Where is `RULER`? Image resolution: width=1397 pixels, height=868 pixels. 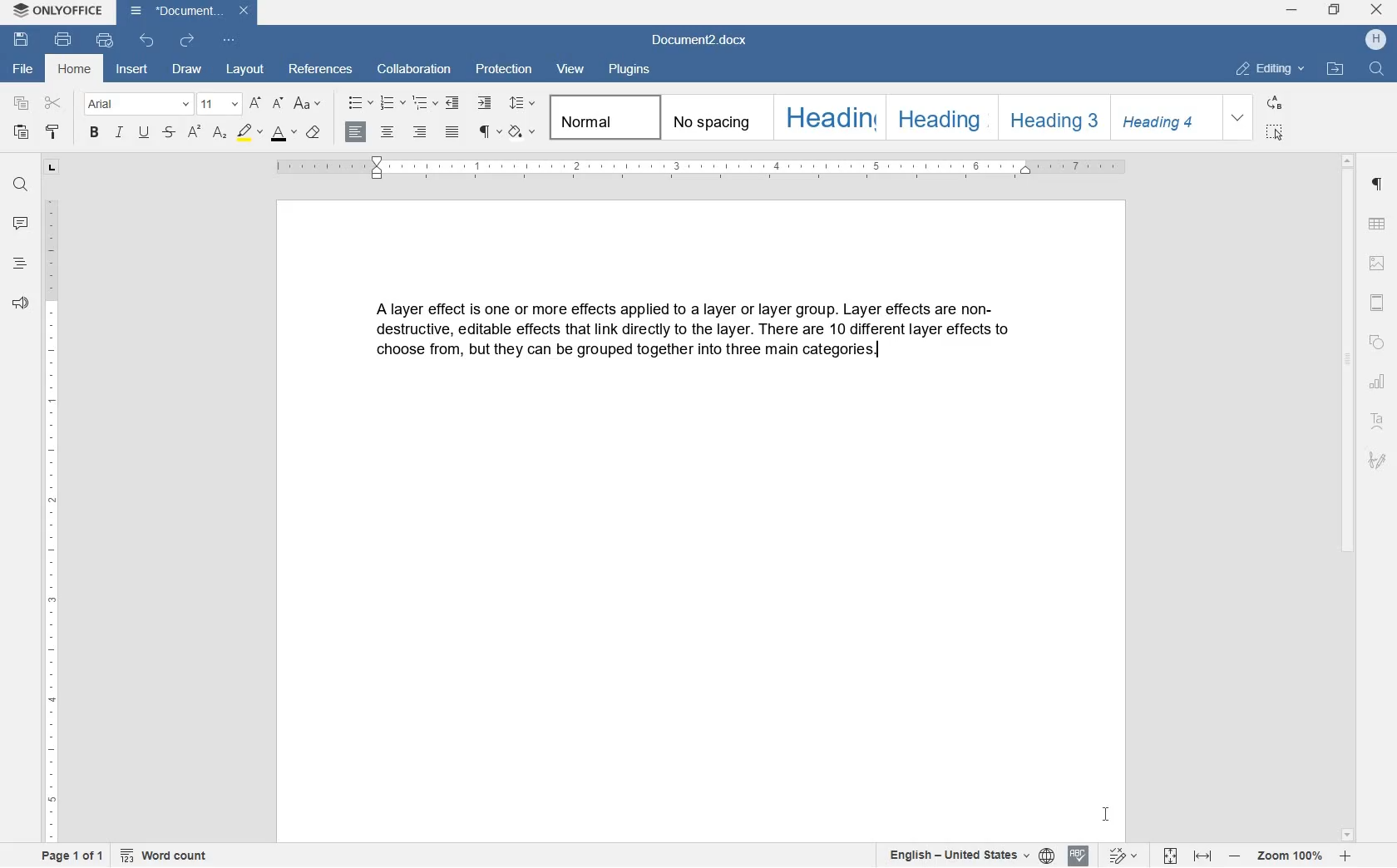 RULER is located at coordinates (49, 519).